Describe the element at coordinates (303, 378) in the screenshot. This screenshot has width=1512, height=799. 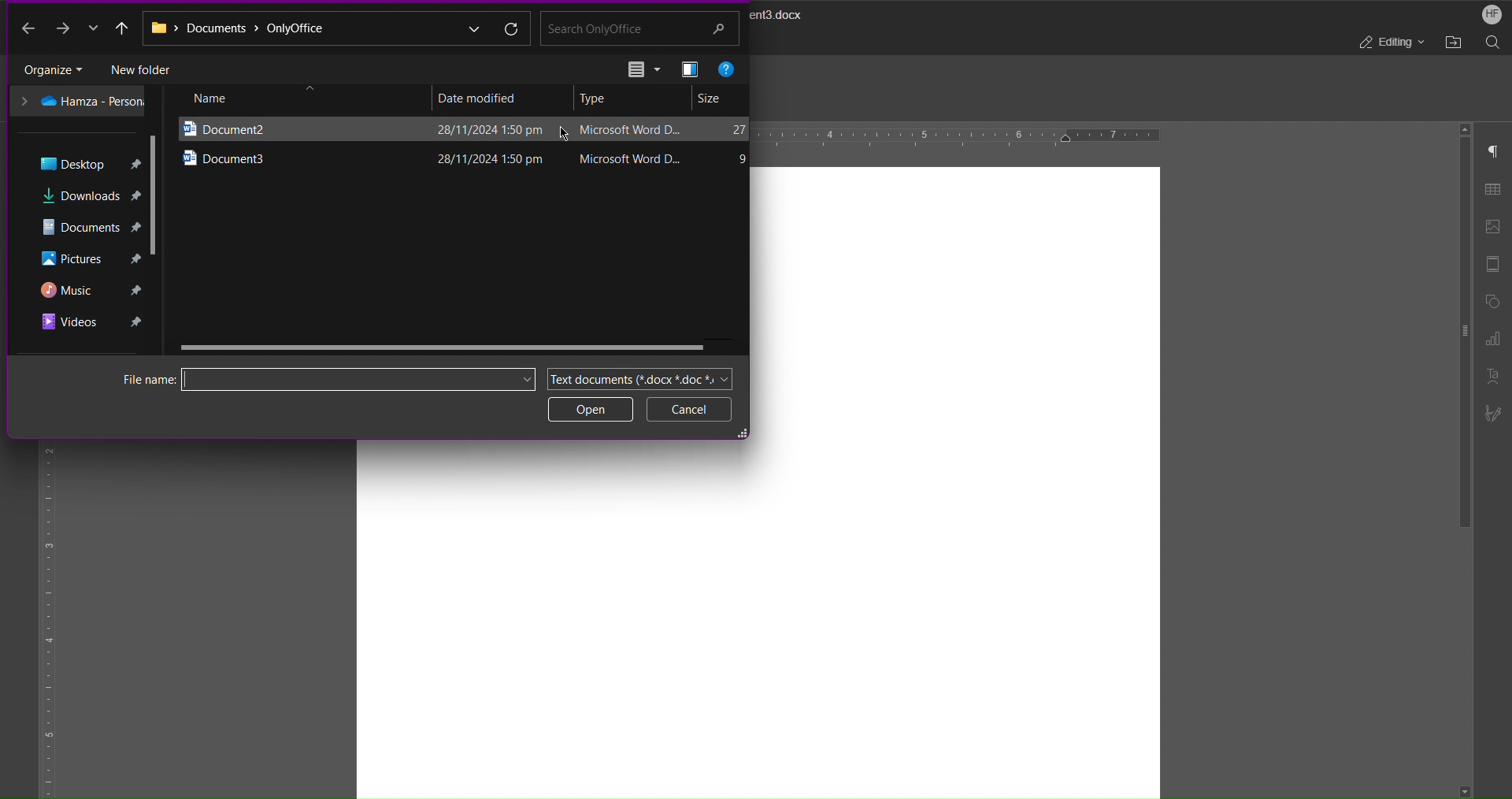
I see `File name` at that location.